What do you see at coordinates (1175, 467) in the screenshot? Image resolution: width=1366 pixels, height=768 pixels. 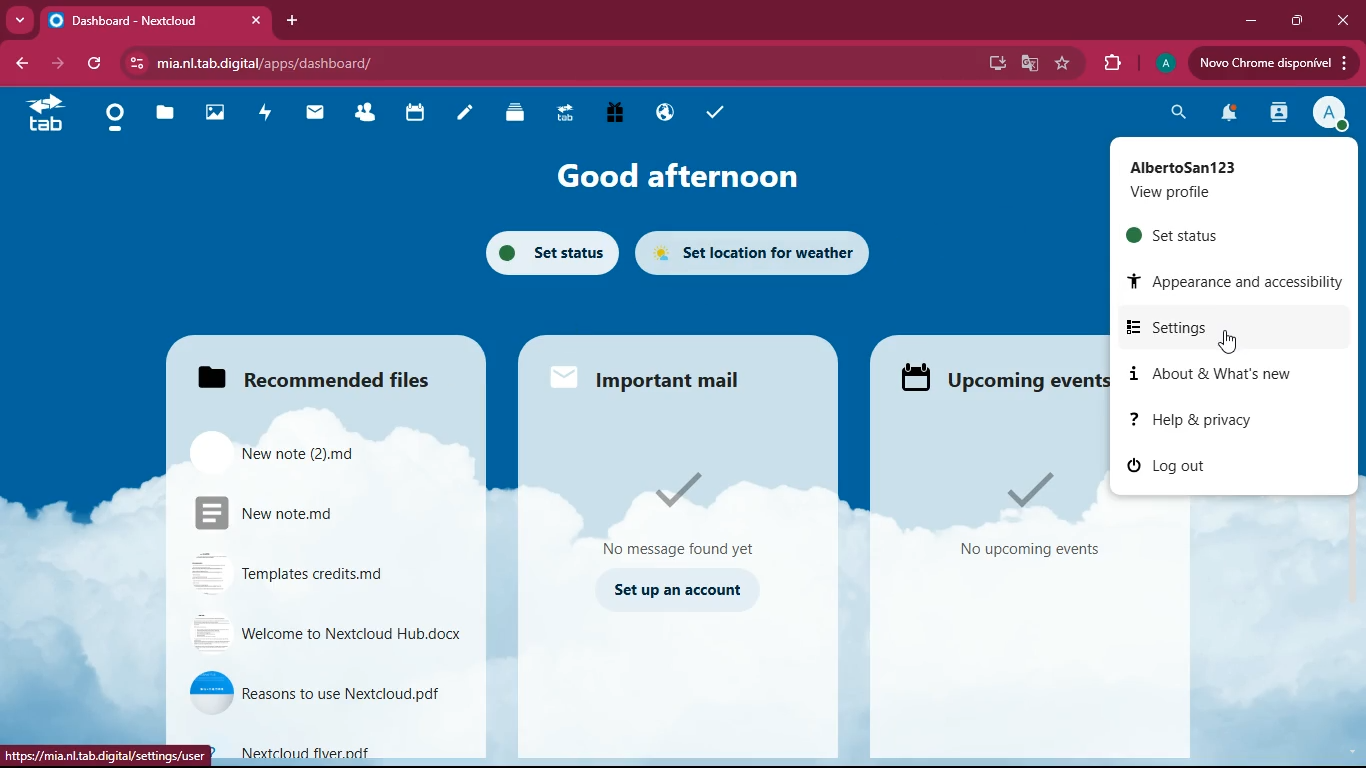 I see `log out` at bounding box center [1175, 467].